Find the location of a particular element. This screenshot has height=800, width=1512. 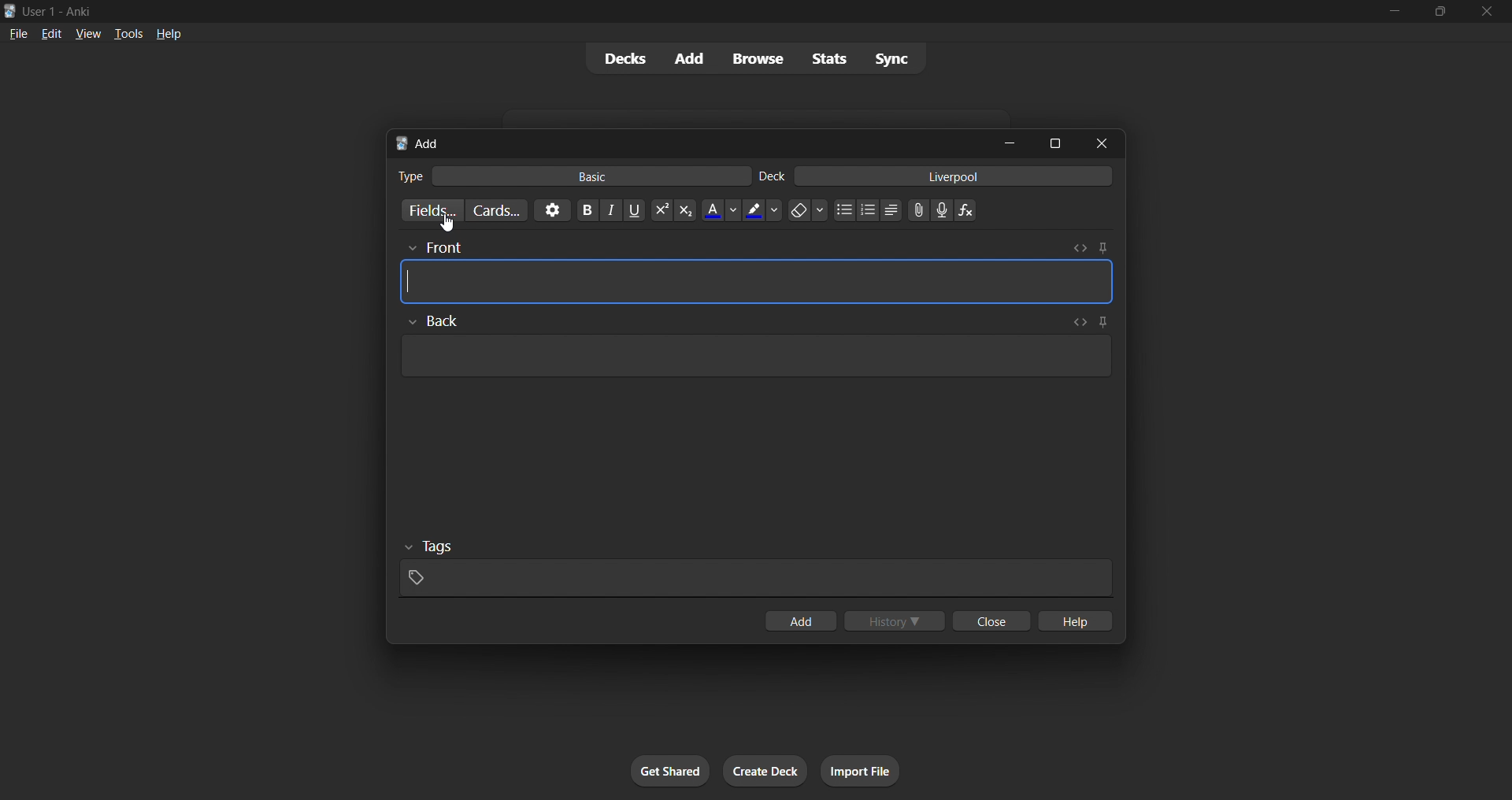

minimize is located at coordinates (1010, 143).